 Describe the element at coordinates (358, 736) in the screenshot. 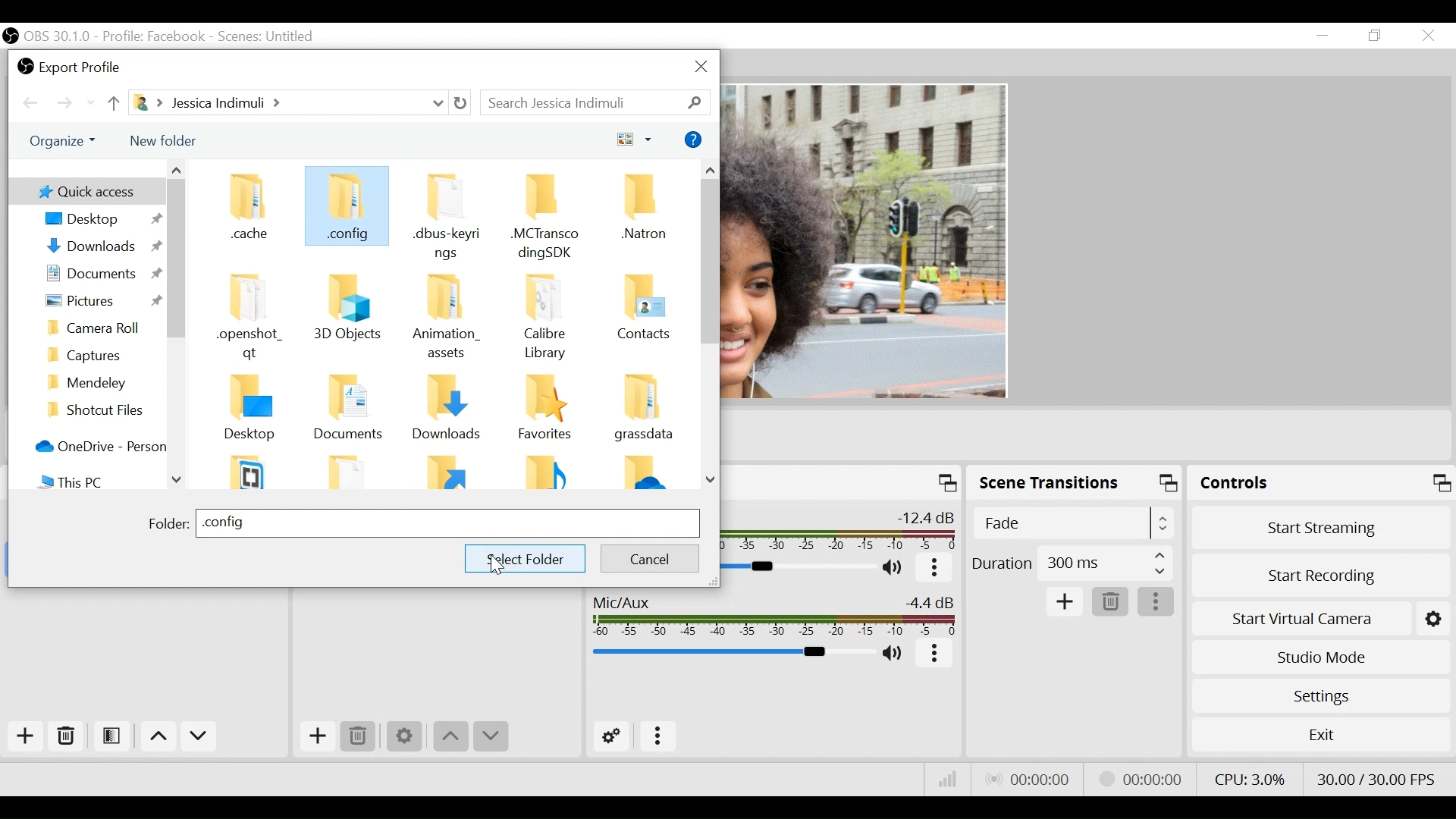

I see `Remove` at that location.